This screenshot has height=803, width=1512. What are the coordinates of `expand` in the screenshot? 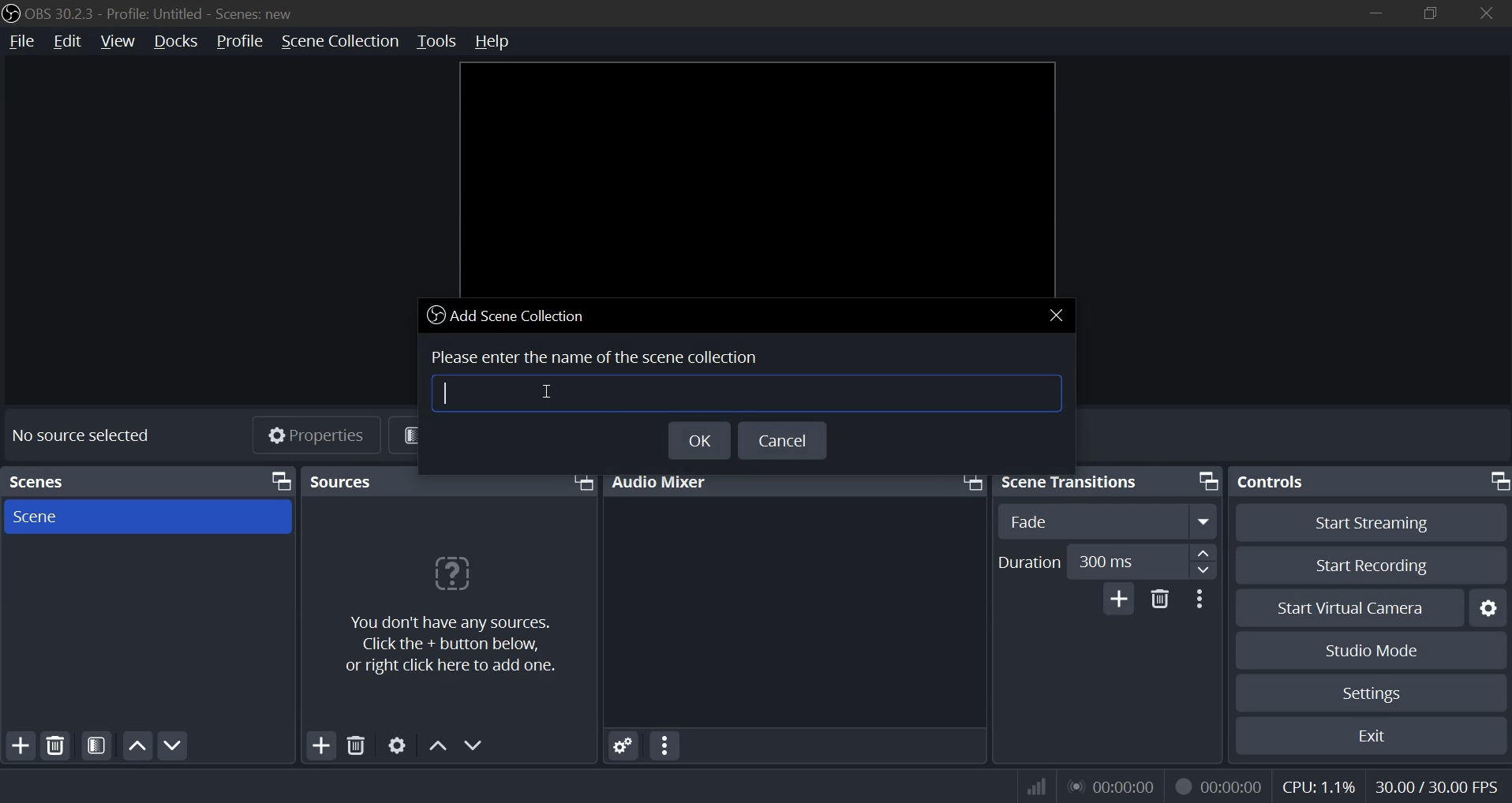 It's located at (1204, 521).